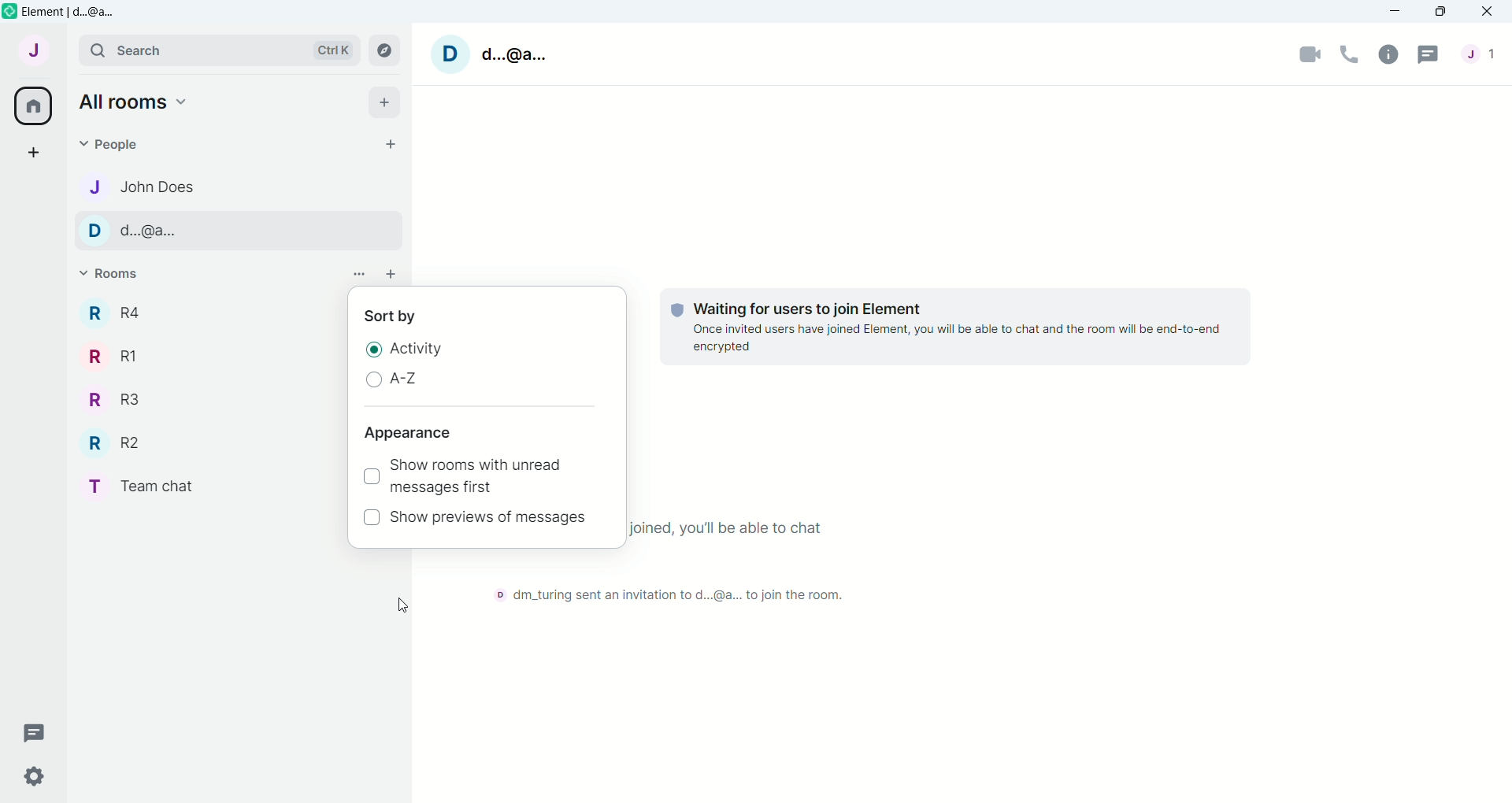  Describe the element at coordinates (370, 477) in the screenshot. I see `Checkbox` at that location.